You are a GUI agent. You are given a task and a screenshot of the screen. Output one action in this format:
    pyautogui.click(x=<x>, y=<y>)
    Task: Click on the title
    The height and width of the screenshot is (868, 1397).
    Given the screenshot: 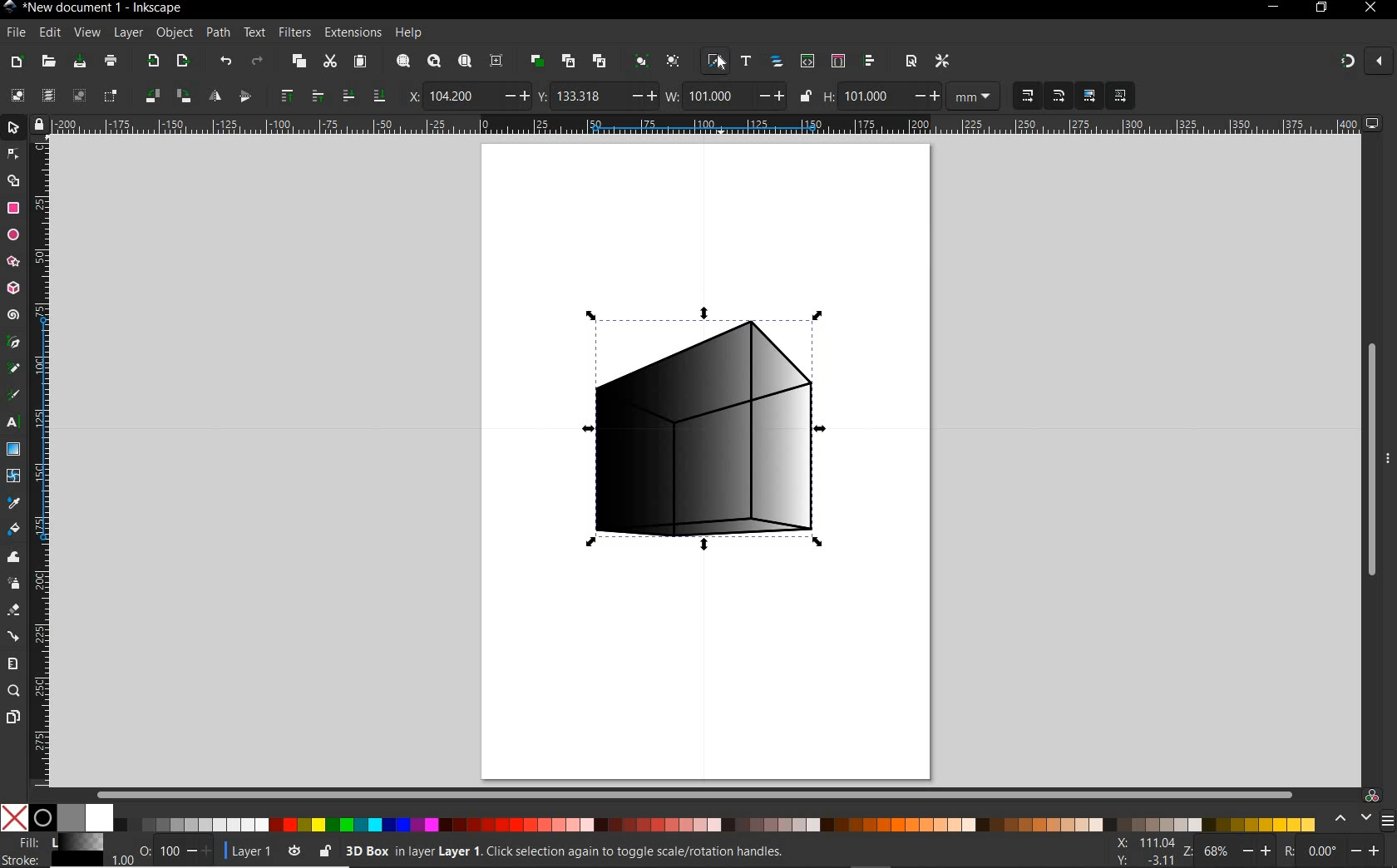 What is the action you would take?
    pyautogui.click(x=105, y=8)
    